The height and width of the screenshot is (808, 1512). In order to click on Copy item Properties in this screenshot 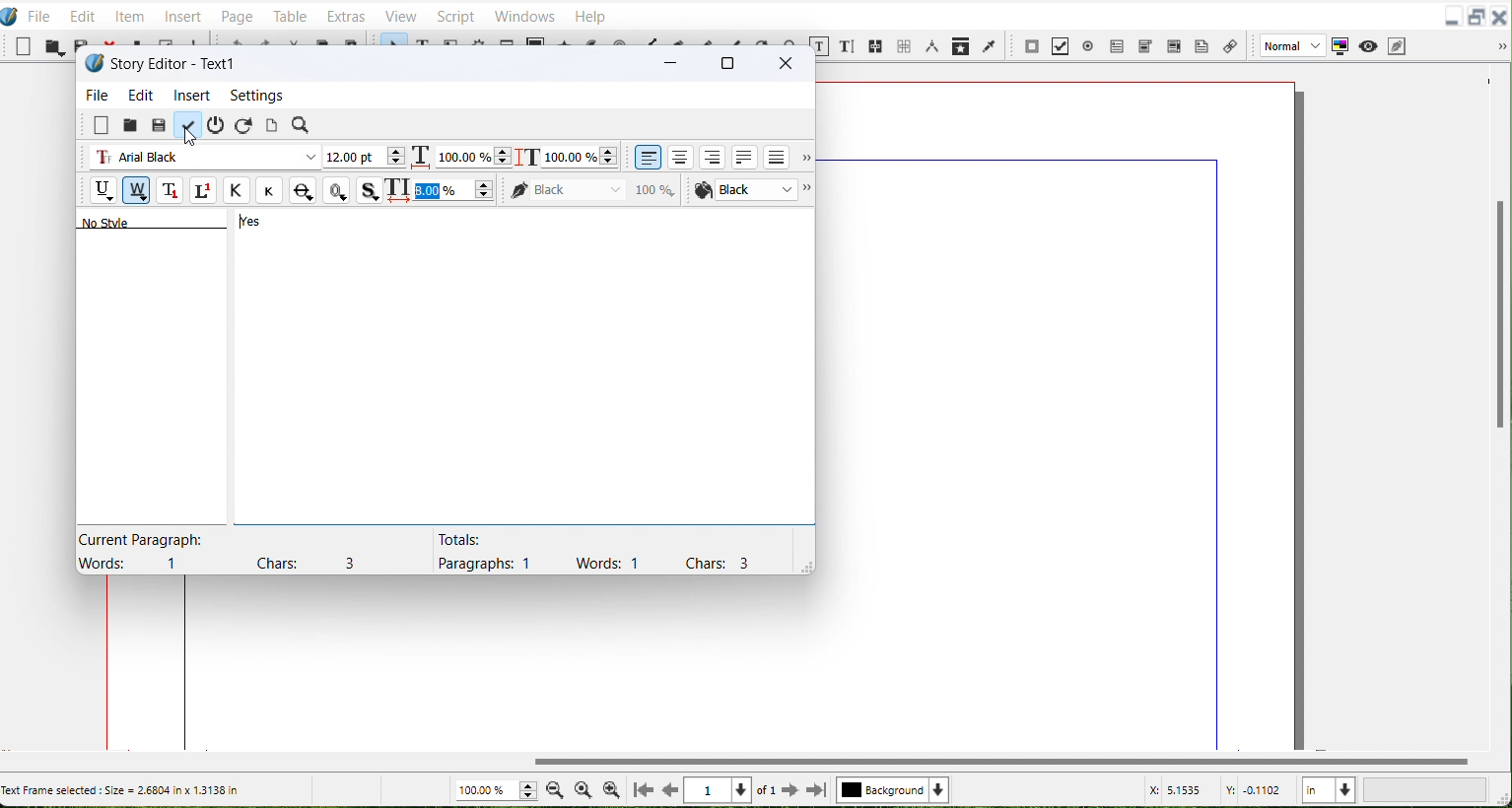, I will do `click(962, 45)`.